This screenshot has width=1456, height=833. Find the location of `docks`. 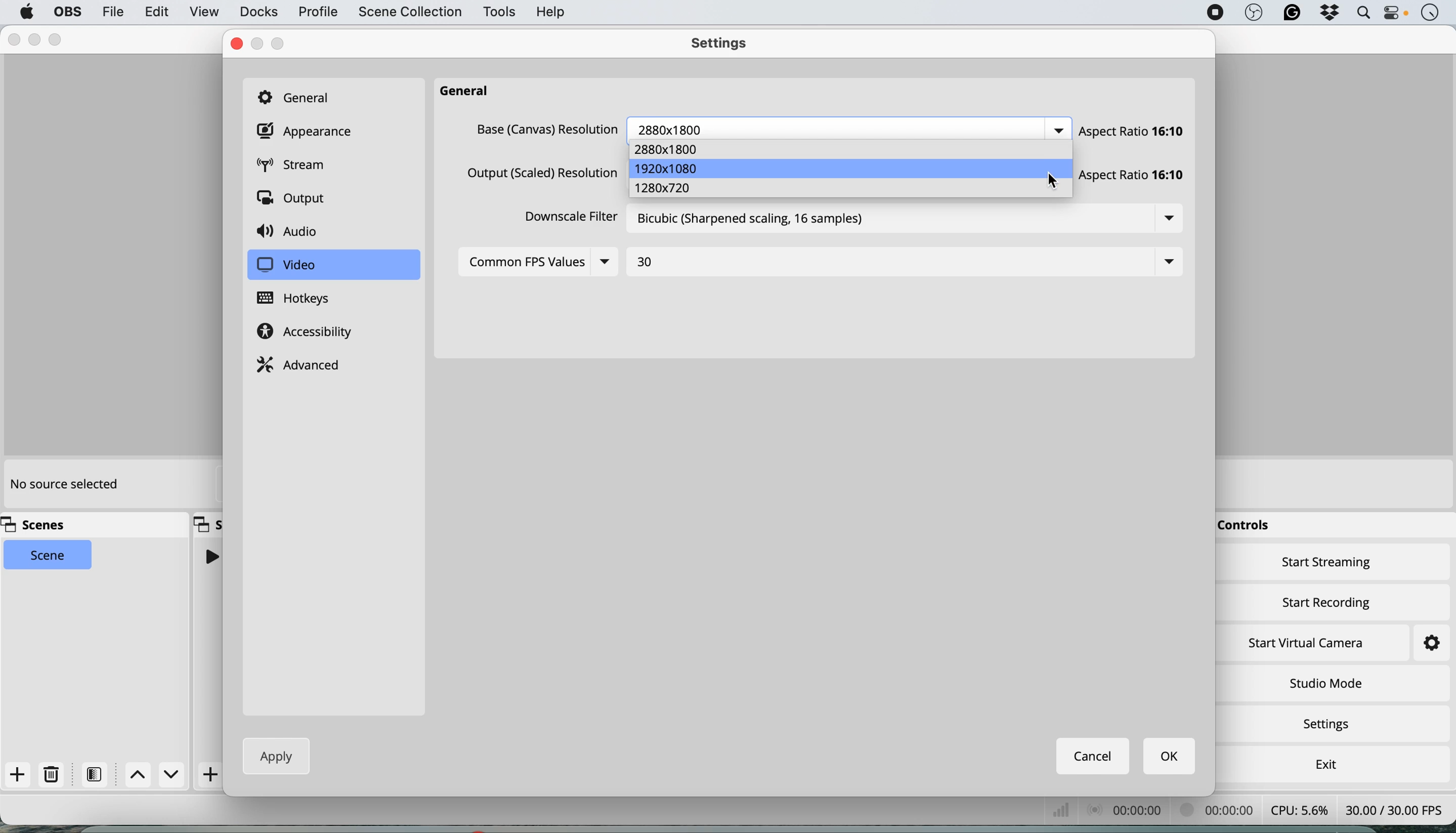

docks is located at coordinates (258, 12).